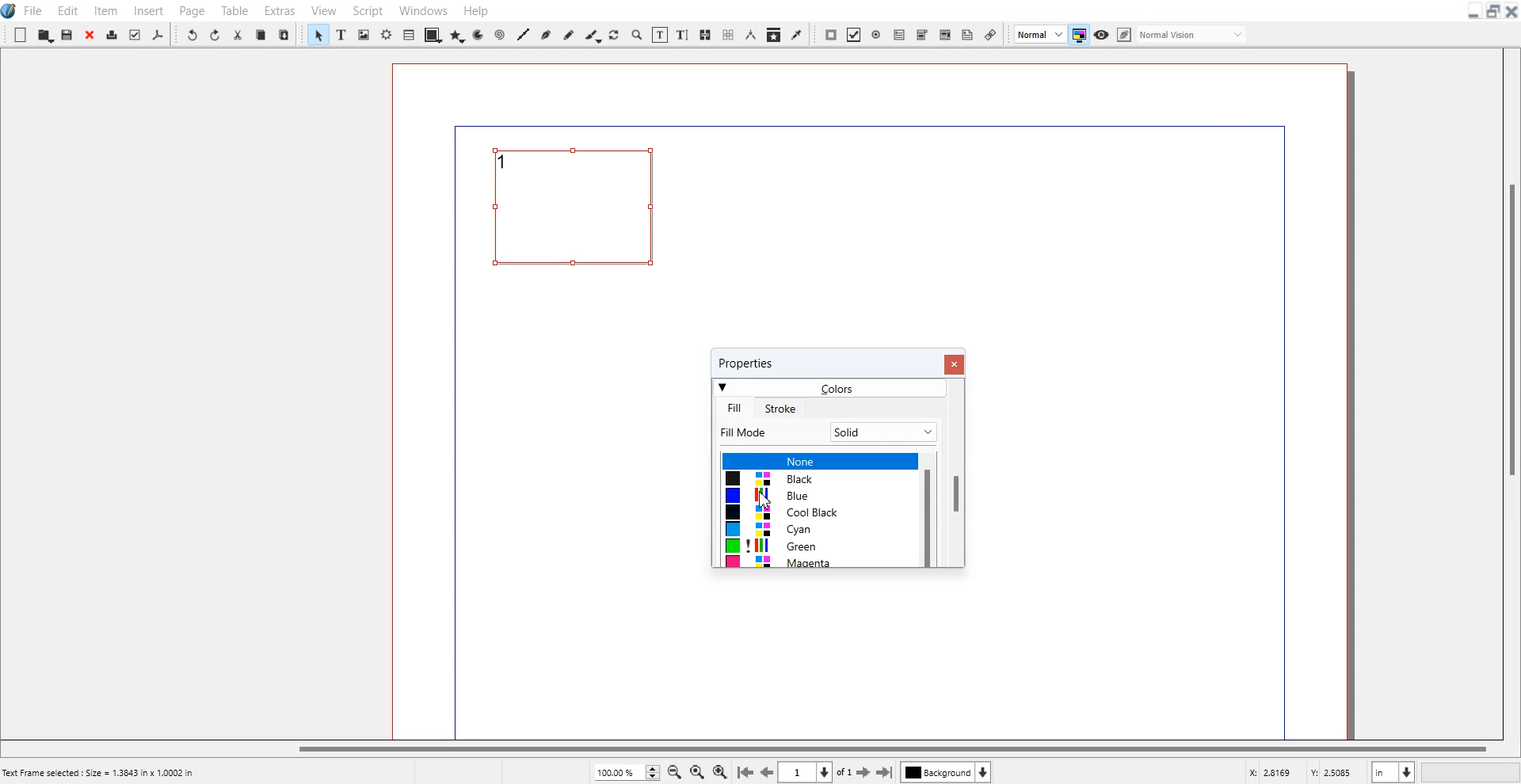 The width and height of the screenshot is (1521, 784). Describe the element at coordinates (1492, 10) in the screenshot. I see `Maximize` at that location.